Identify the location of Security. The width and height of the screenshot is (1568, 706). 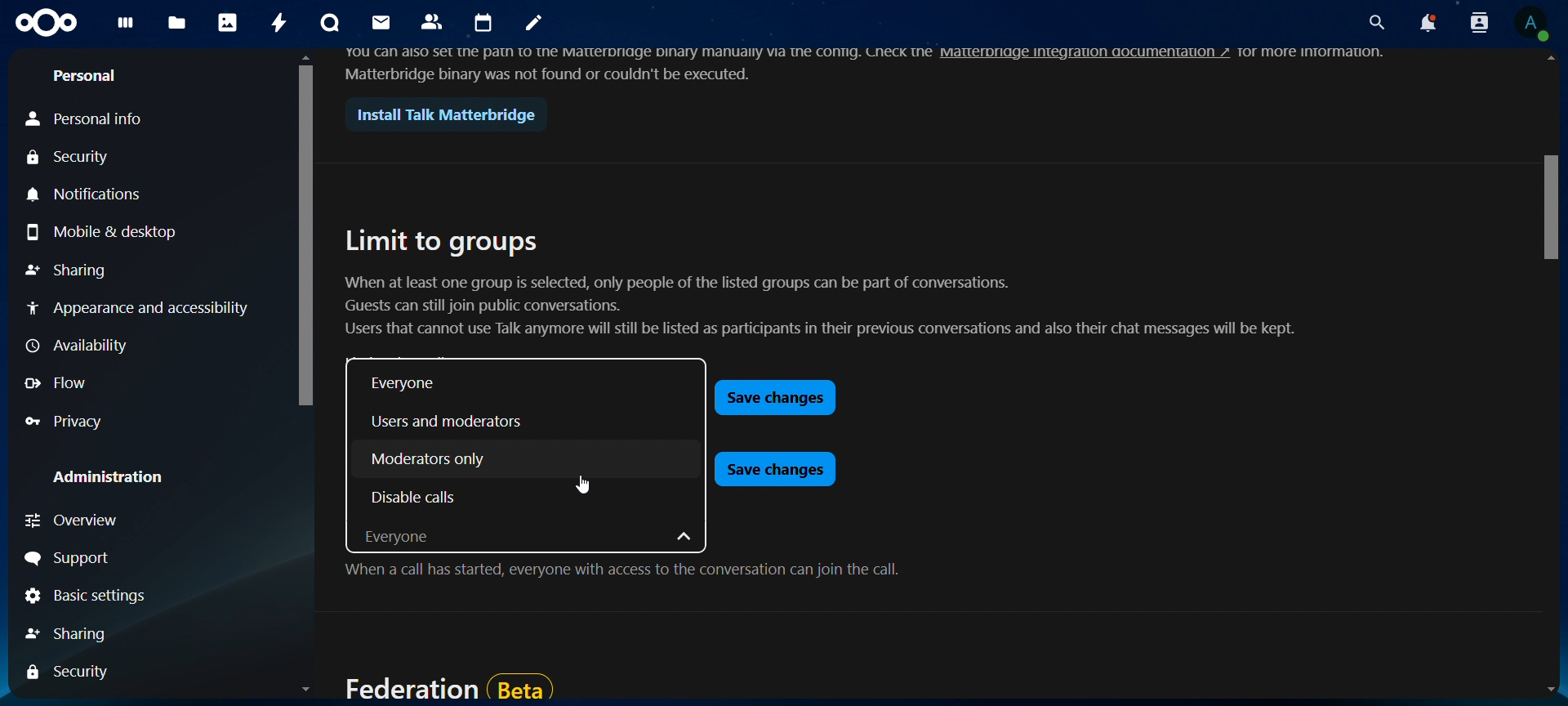
(72, 155).